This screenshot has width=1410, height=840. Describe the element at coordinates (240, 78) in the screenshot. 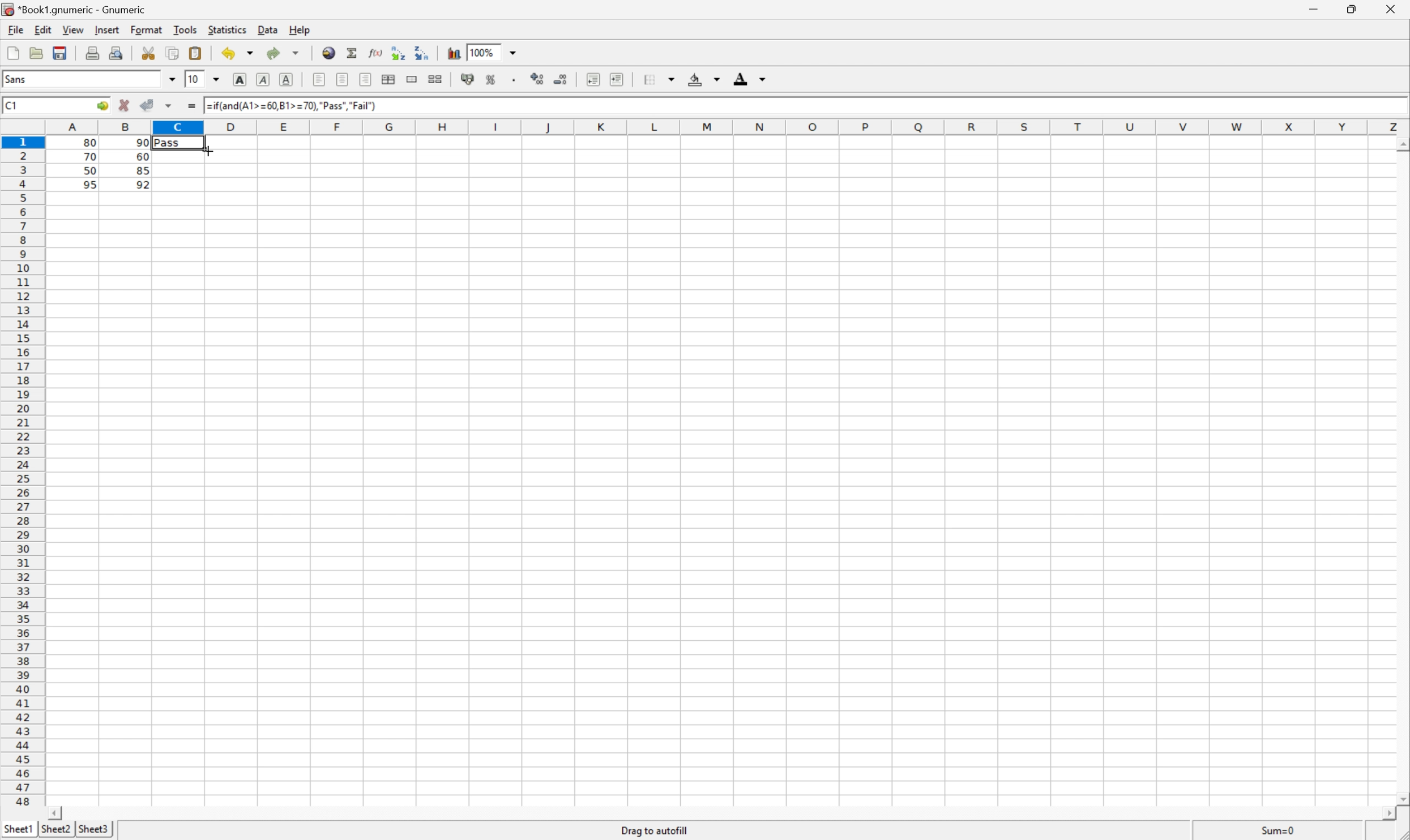

I see `Bold` at that location.